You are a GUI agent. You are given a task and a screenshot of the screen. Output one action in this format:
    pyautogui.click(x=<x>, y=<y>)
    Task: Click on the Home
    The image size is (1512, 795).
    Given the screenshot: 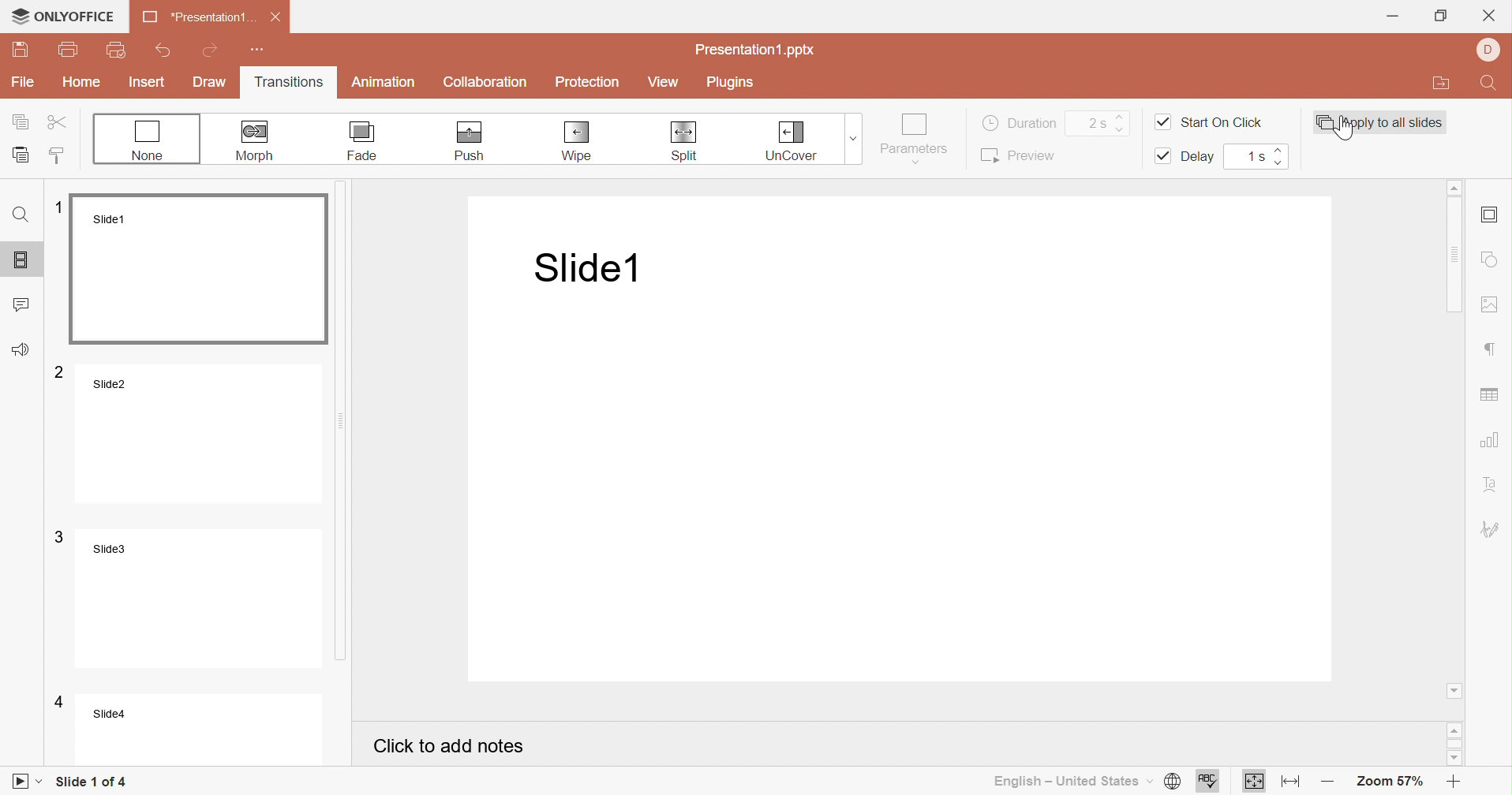 What is the action you would take?
    pyautogui.click(x=81, y=81)
    